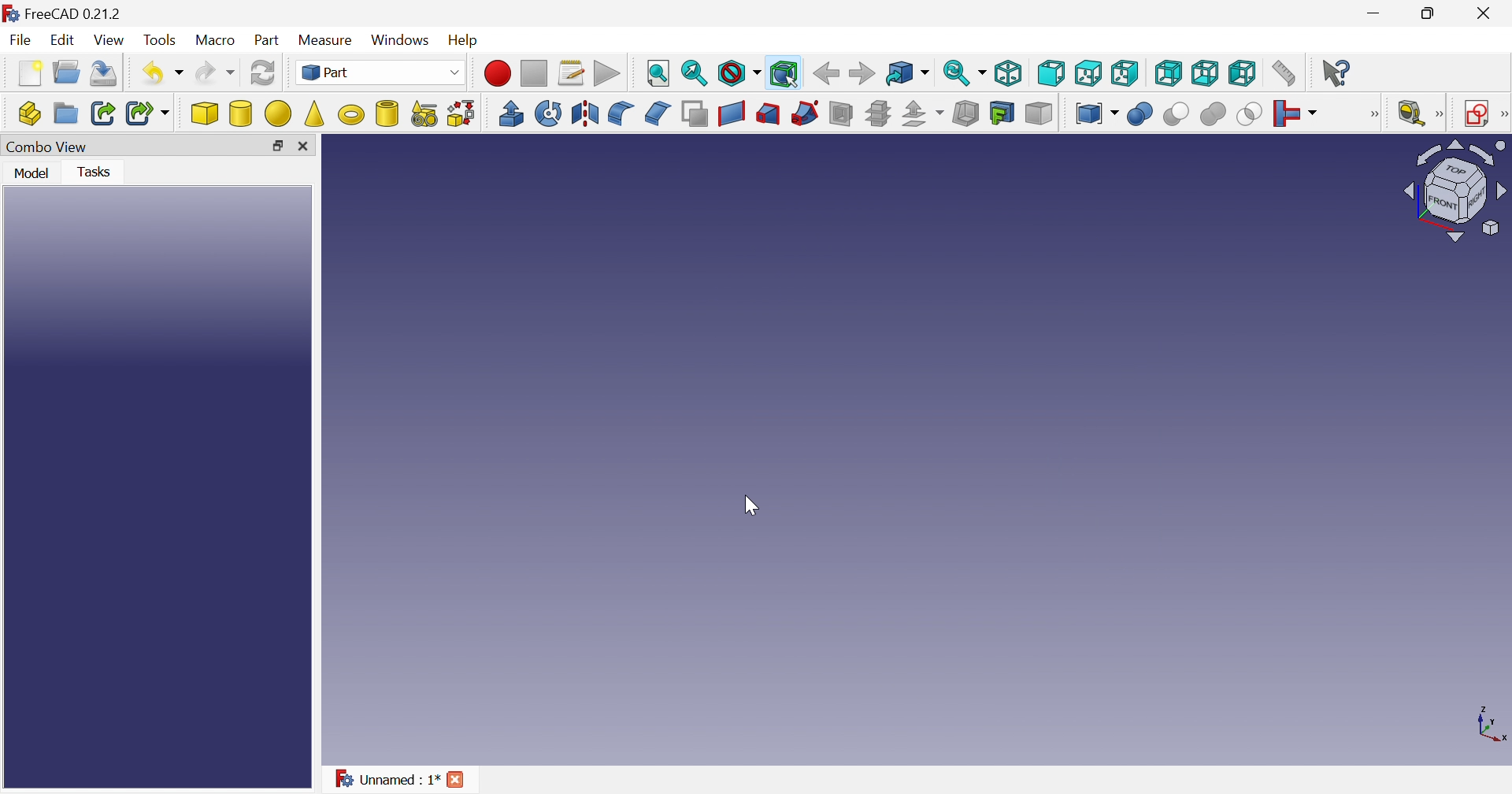  I want to click on Make sub-link, so click(149, 114).